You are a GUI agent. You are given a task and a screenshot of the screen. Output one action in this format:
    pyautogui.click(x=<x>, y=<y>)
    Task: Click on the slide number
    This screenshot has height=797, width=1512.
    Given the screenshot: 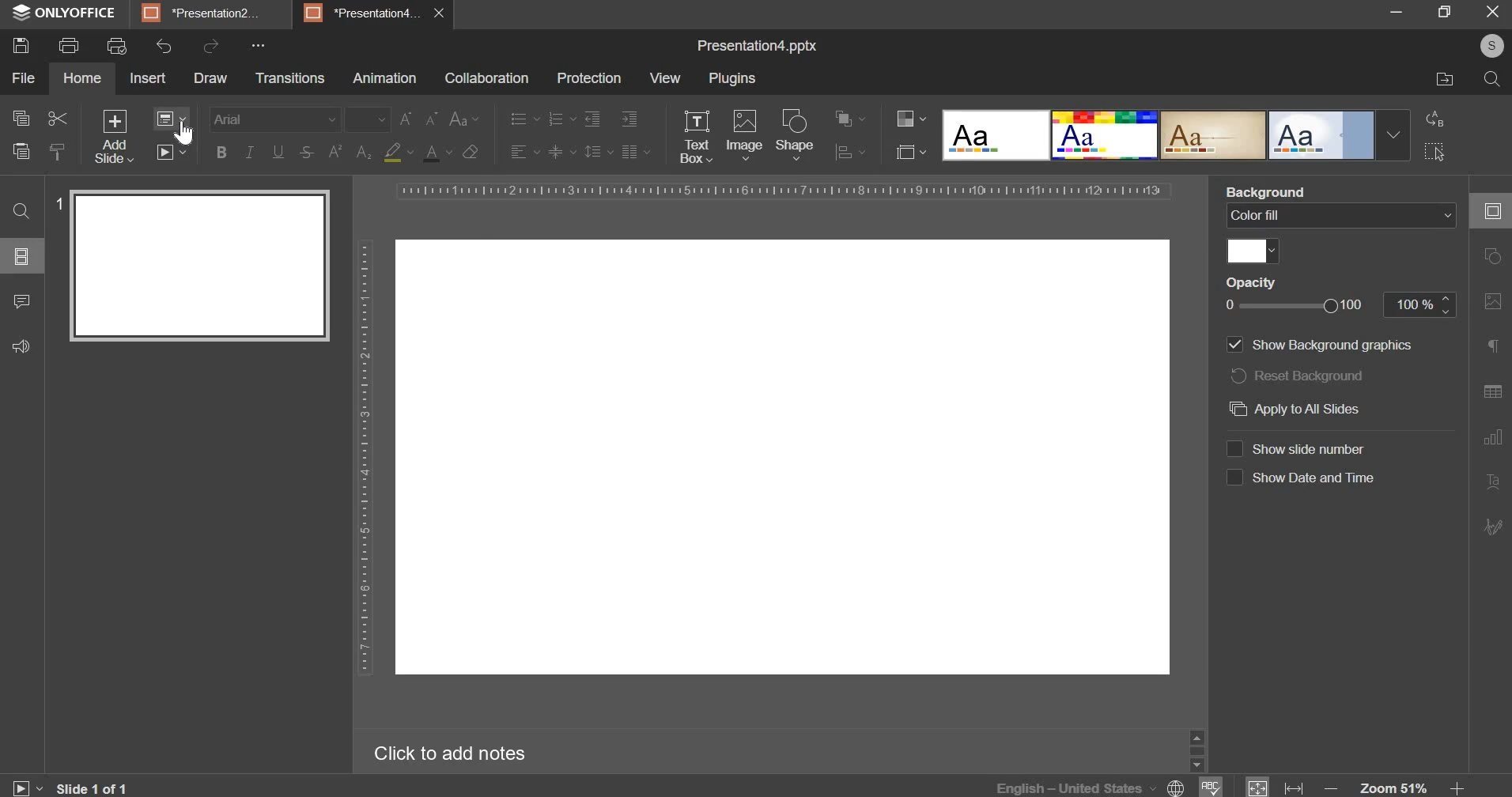 What is the action you would take?
    pyautogui.click(x=57, y=201)
    